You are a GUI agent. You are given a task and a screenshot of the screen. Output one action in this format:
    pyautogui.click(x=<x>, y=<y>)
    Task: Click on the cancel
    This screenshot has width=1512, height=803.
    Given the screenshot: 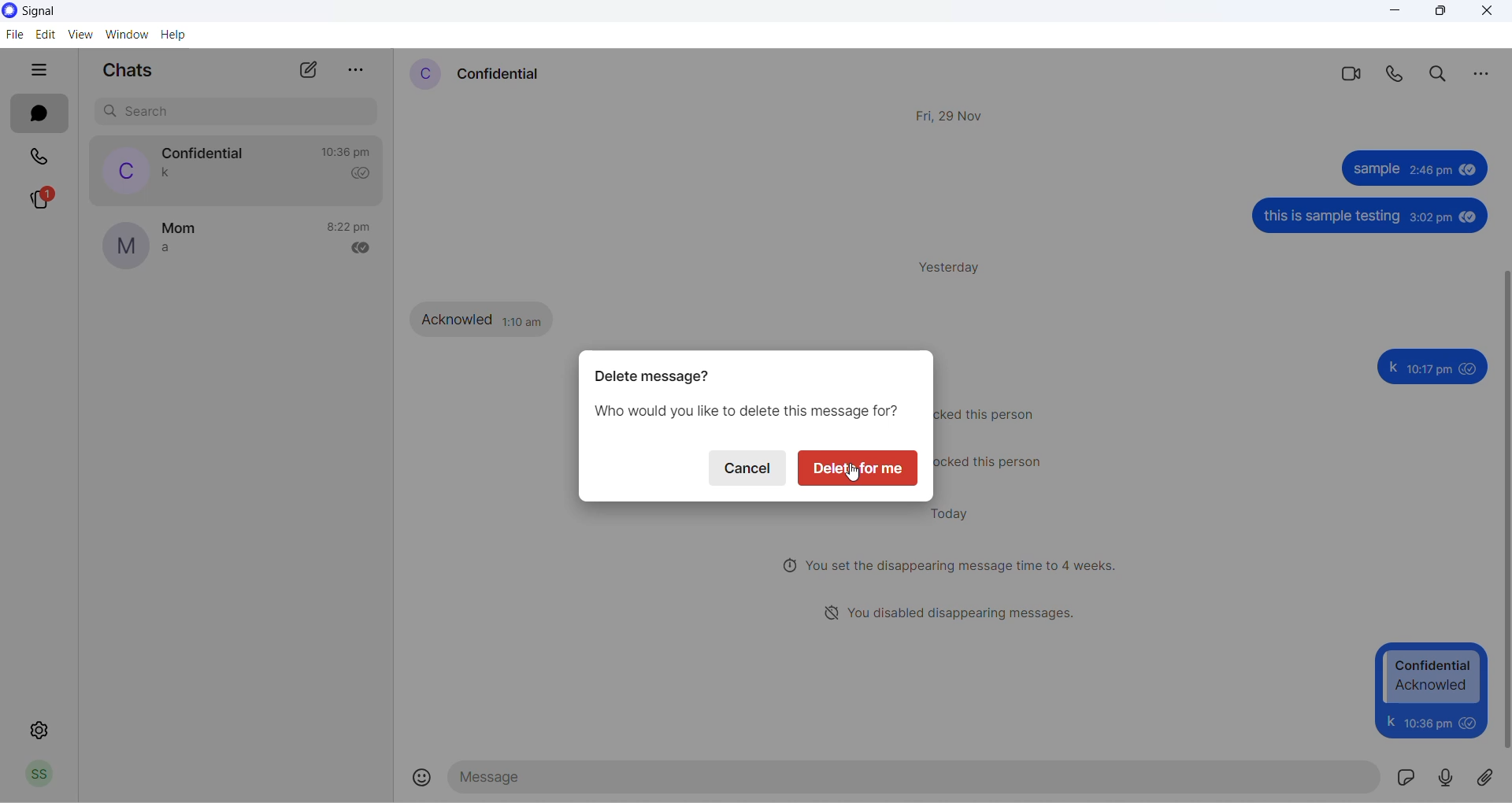 What is the action you would take?
    pyautogui.click(x=744, y=470)
    